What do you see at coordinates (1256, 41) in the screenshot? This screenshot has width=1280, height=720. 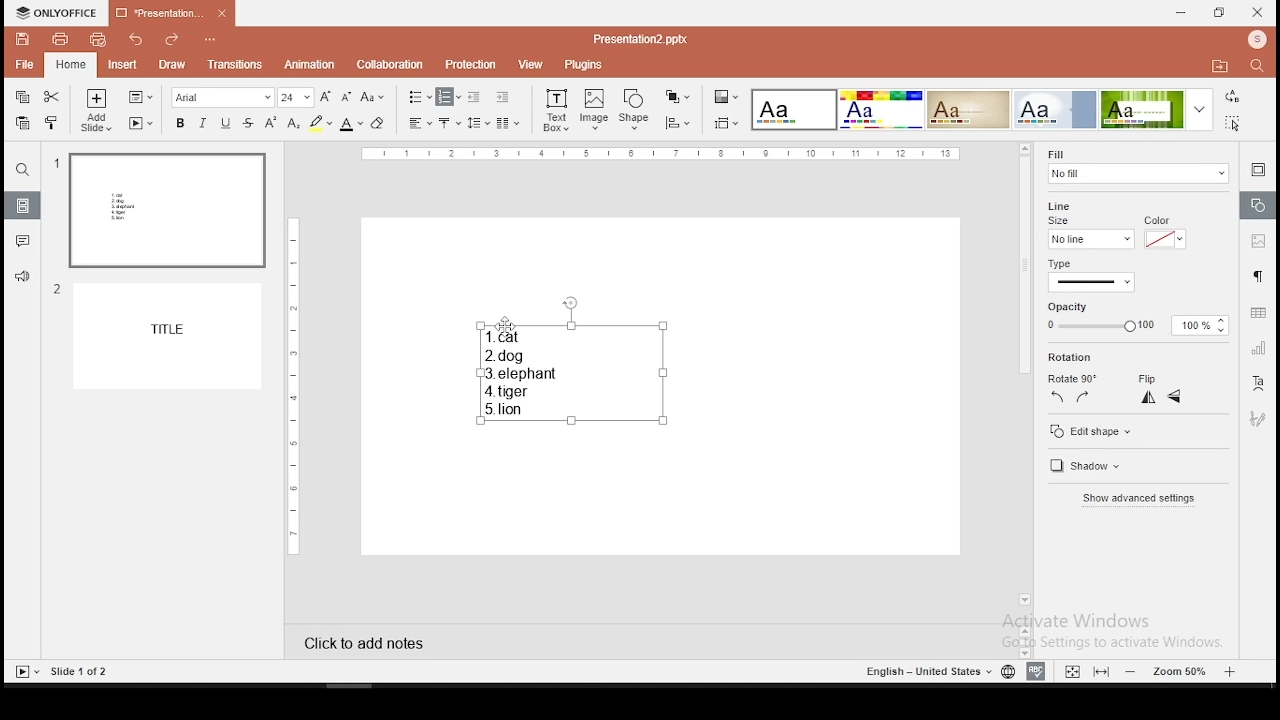 I see `icon` at bounding box center [1256, 41].